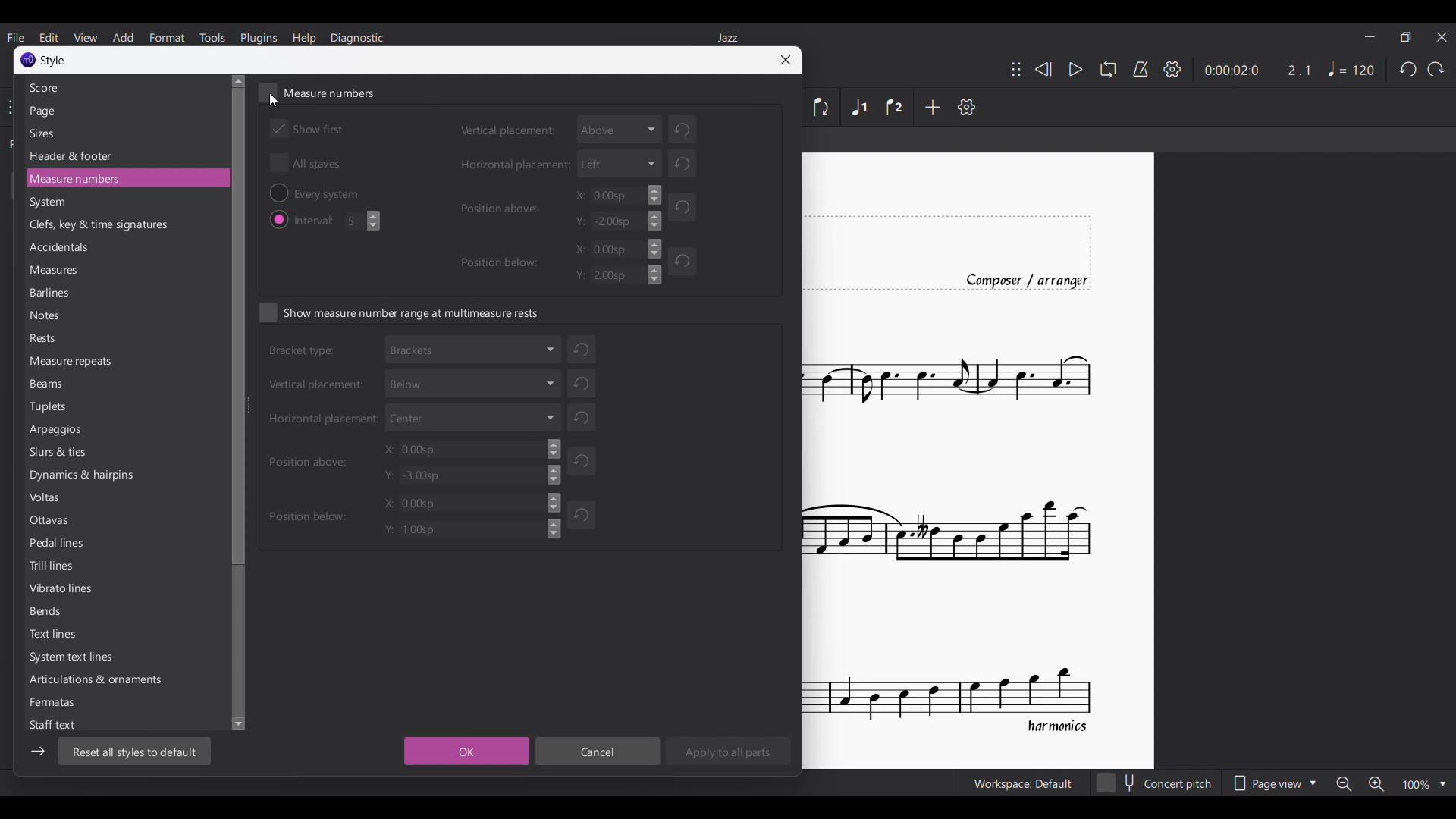 This screenshot has width=1456, height=819. I want to click on Change width of panel, so click(237, 404).